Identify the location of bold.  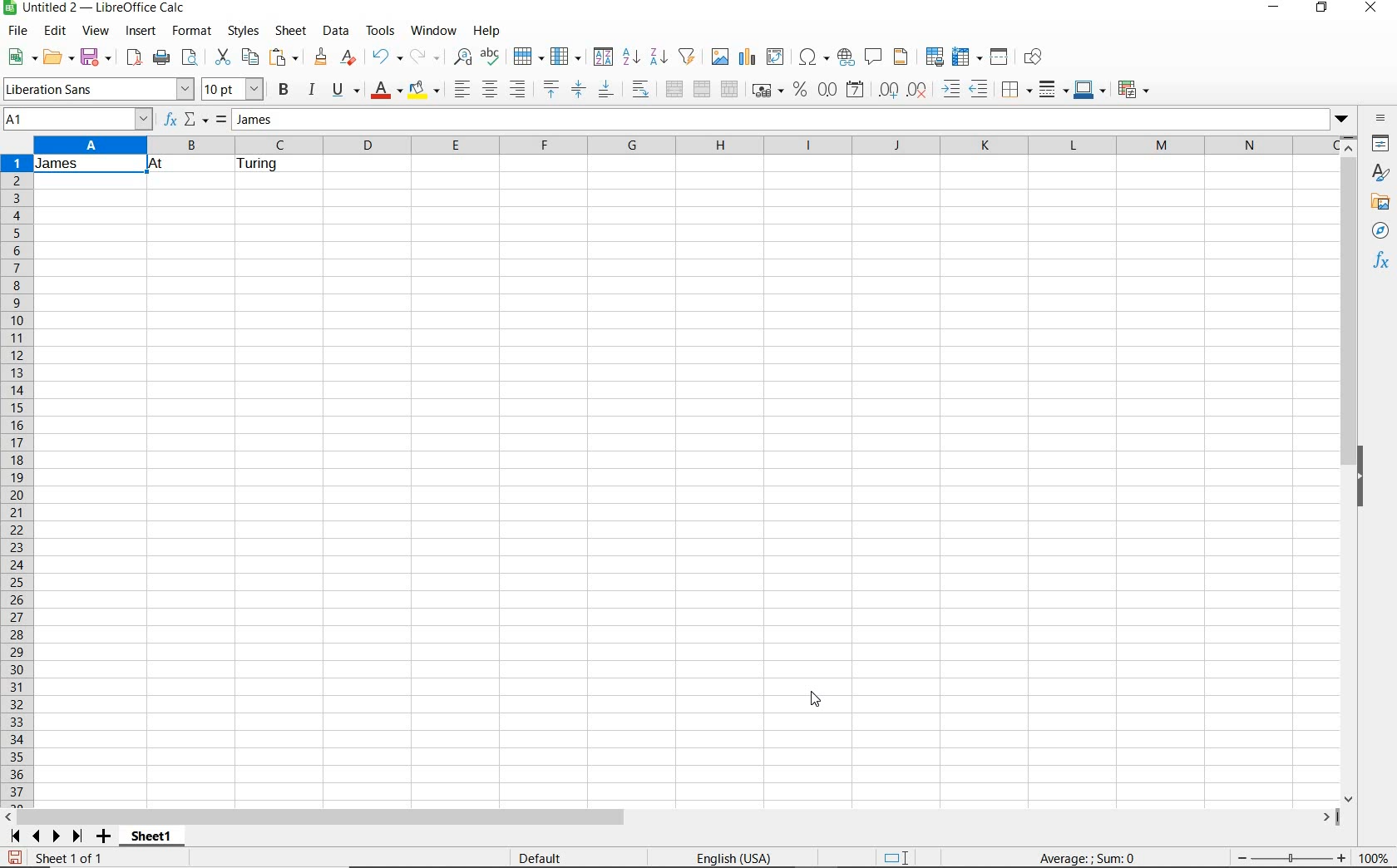
(284, 90).